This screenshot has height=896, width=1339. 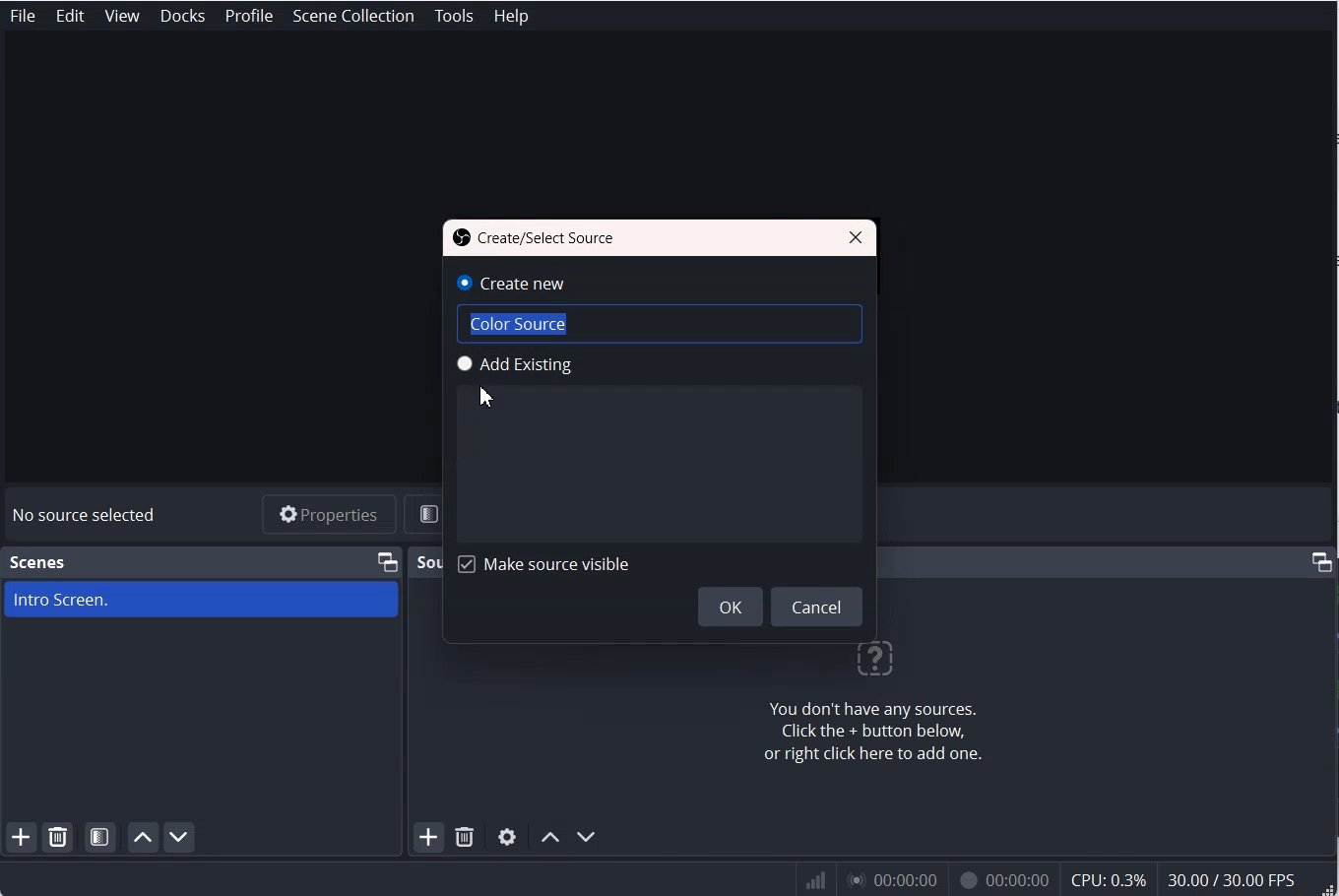 I want to click on Add Scene, so click(x=21, y=838).